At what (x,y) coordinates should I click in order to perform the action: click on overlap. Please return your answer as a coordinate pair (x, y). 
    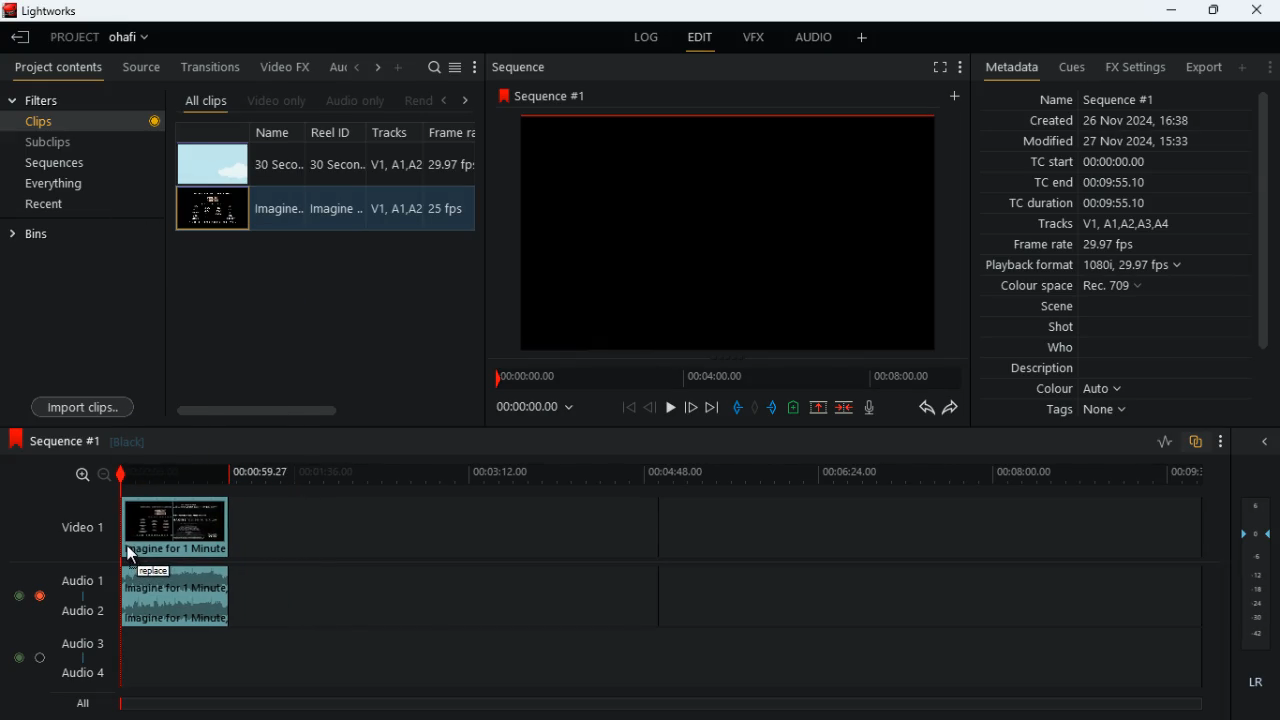
    Looking at the image, I should click on (1193, 442).